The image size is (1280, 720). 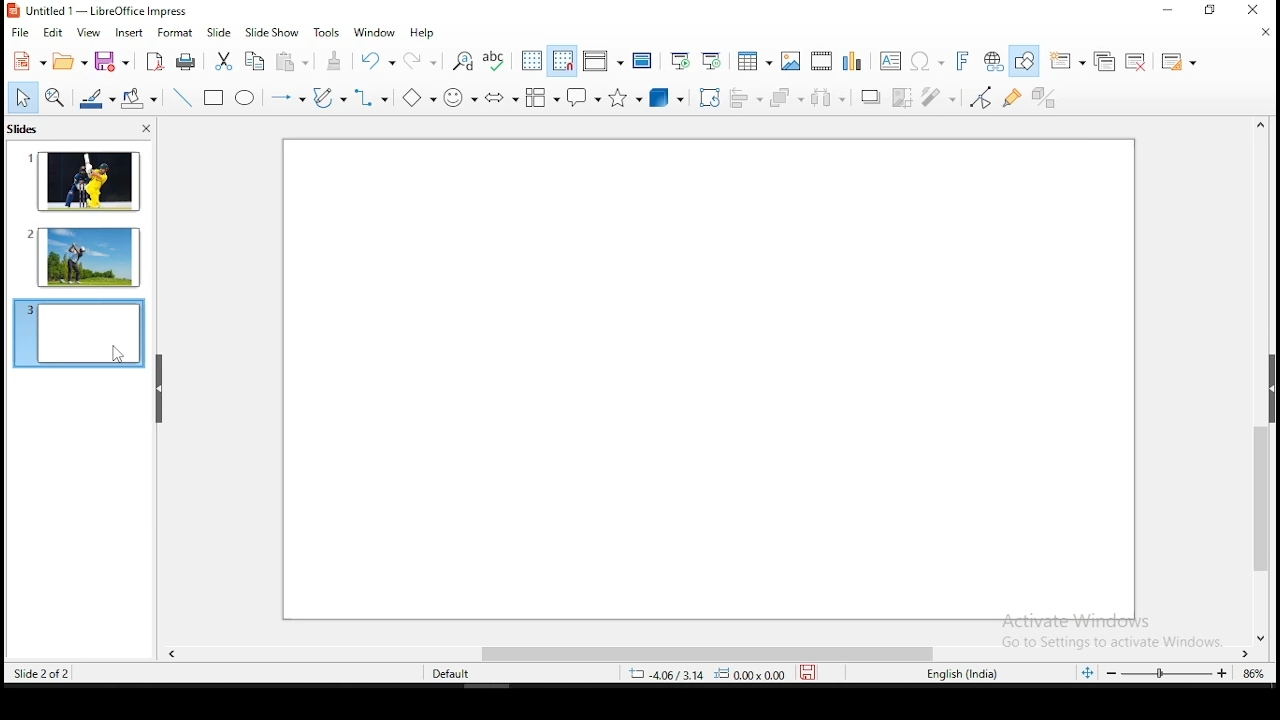 I want to click on Untitled | — LibreUihice Impress, so click(x=109, y=11).